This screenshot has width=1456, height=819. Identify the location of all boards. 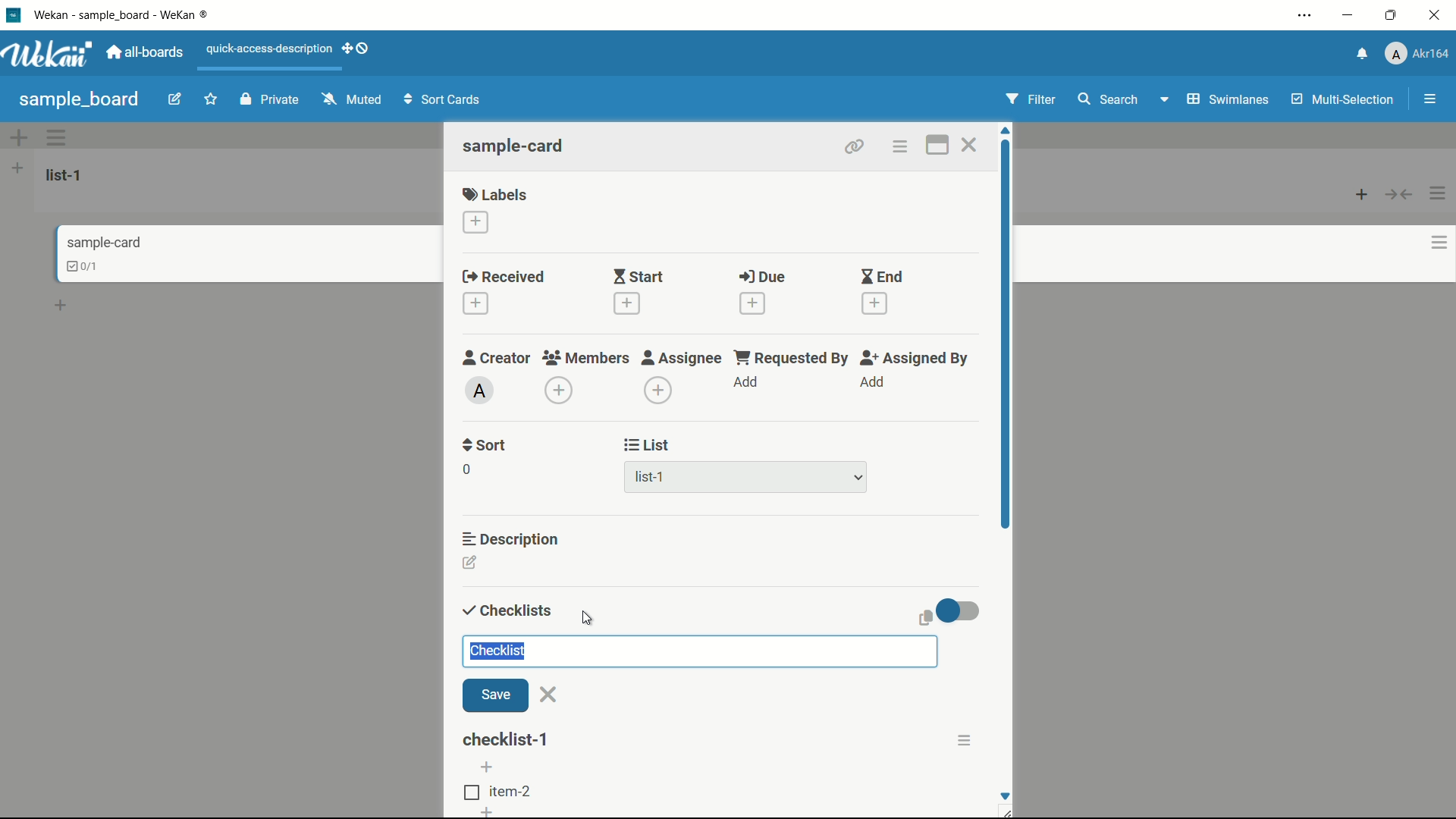
(146, 52).